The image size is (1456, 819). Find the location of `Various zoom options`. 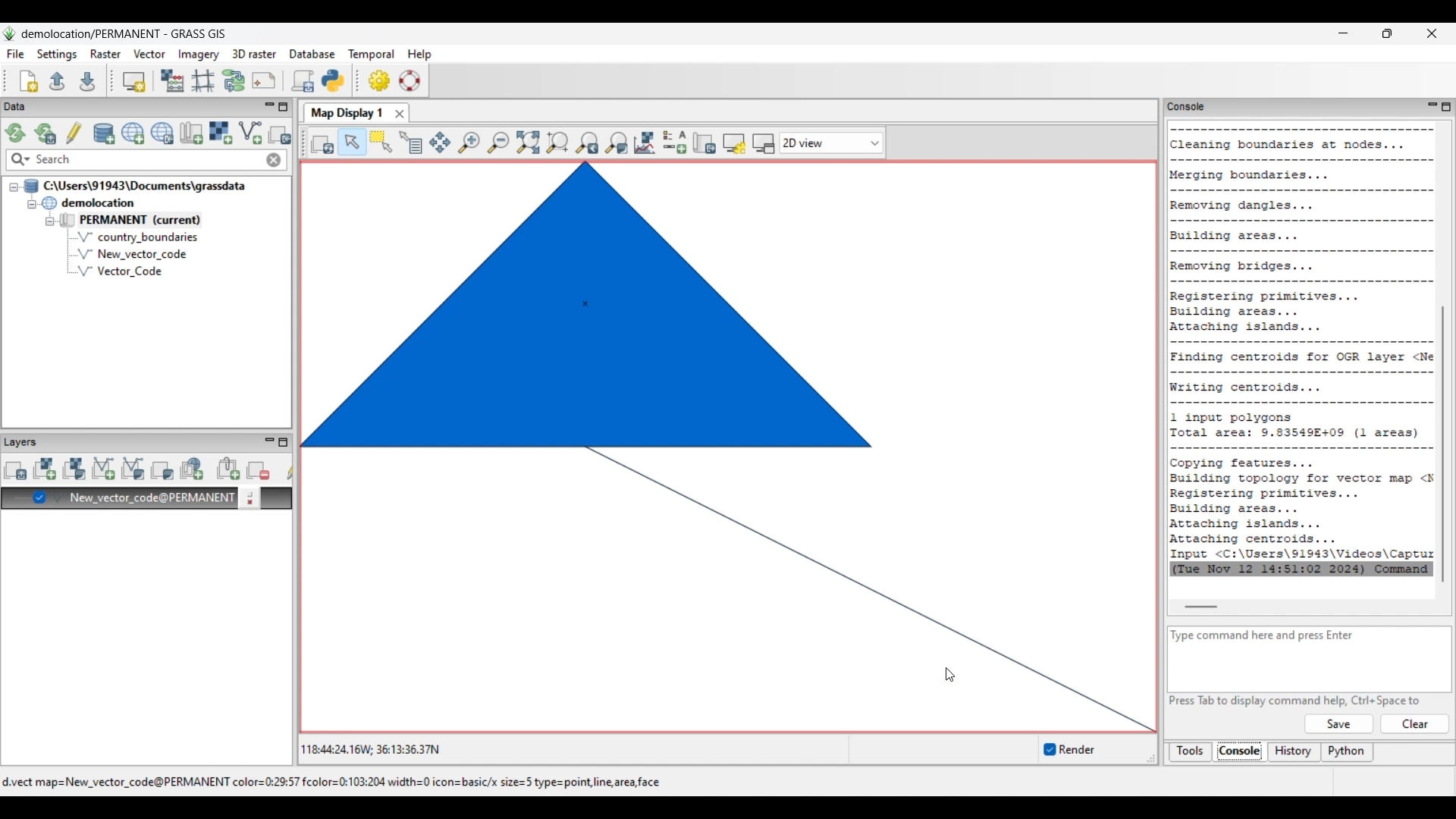

Various zoom options is located at coordinates (616, 143).